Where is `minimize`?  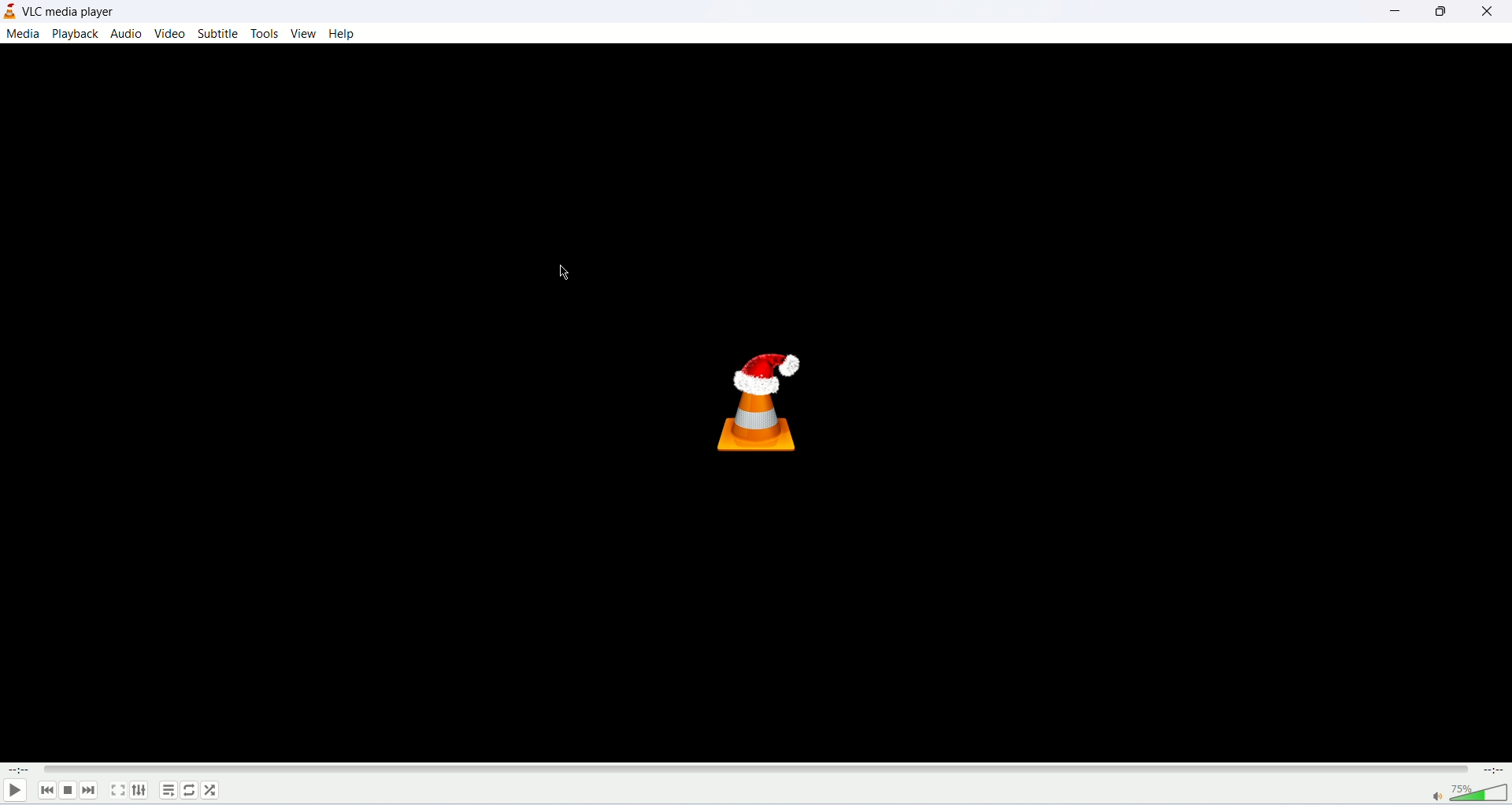
minimize is located at coordinates (1395, 12).